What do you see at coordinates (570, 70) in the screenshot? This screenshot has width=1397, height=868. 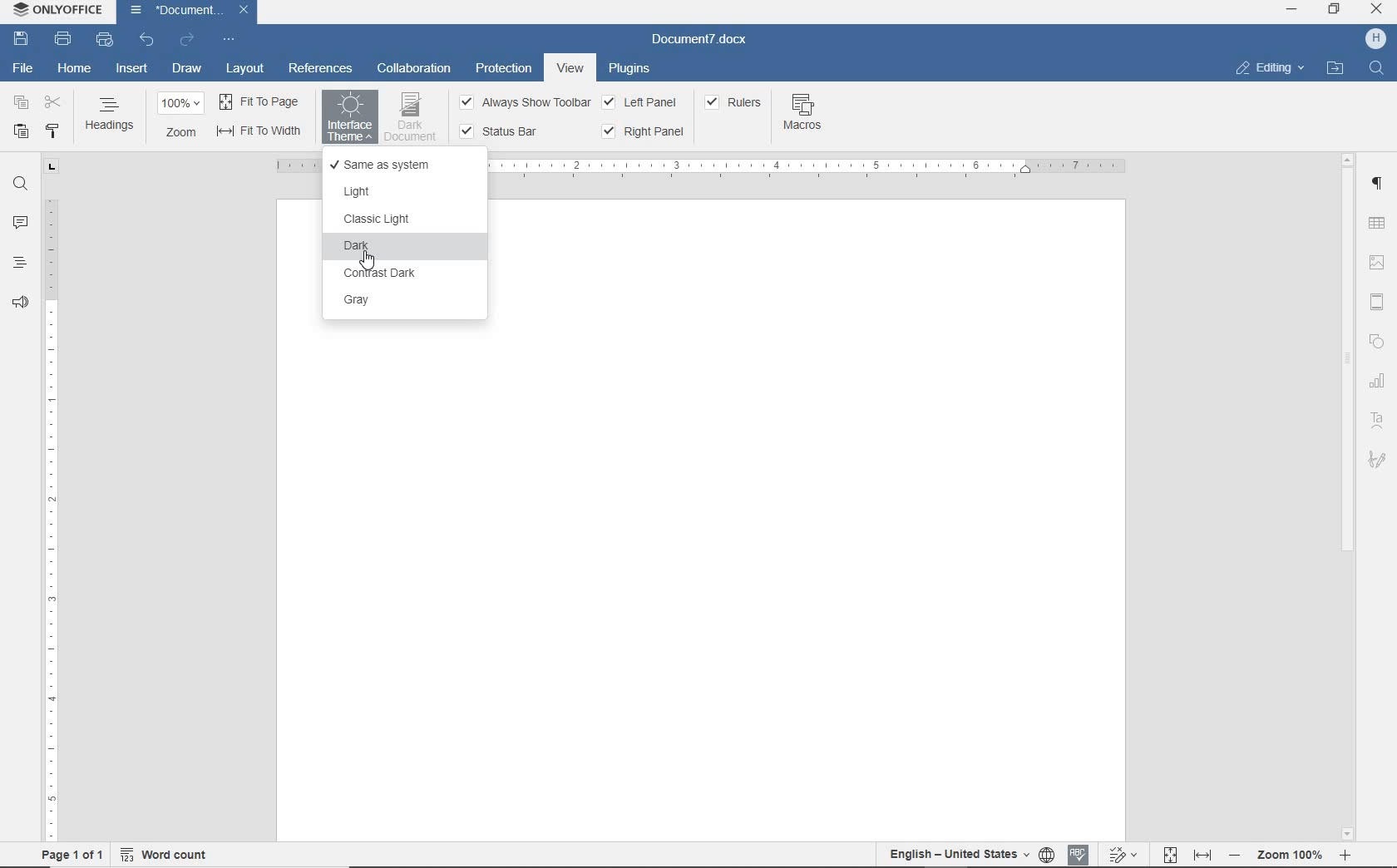 I see `VIEW` at bounding box center [570, 70].